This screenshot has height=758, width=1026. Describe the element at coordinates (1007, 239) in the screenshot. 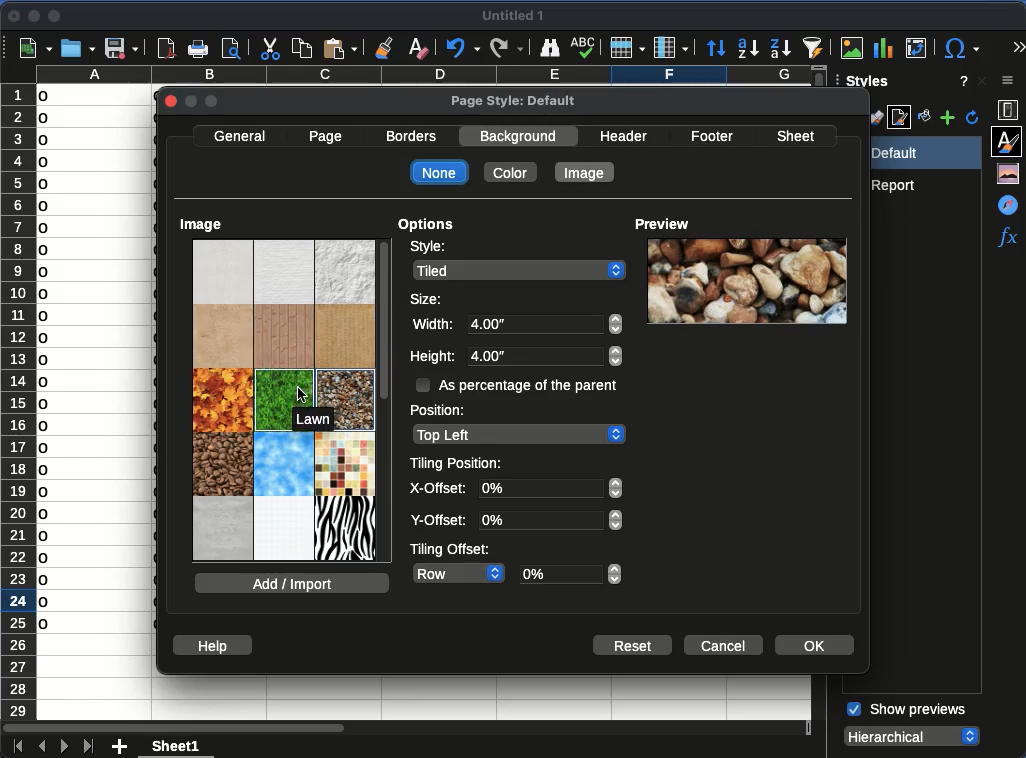

I see `functions` at that location.